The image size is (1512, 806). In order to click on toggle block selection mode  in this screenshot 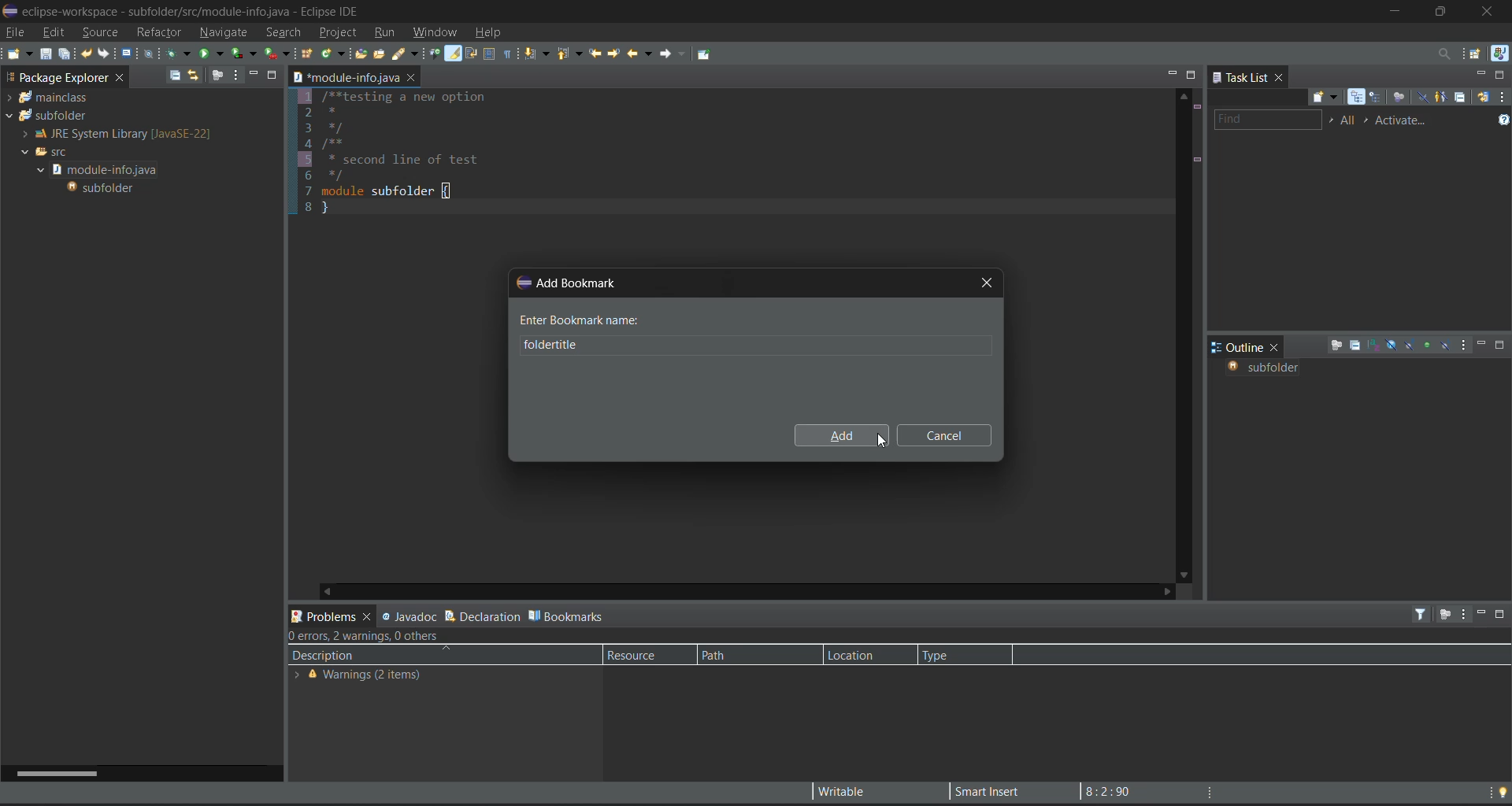, I will do `click(489, 54)`.